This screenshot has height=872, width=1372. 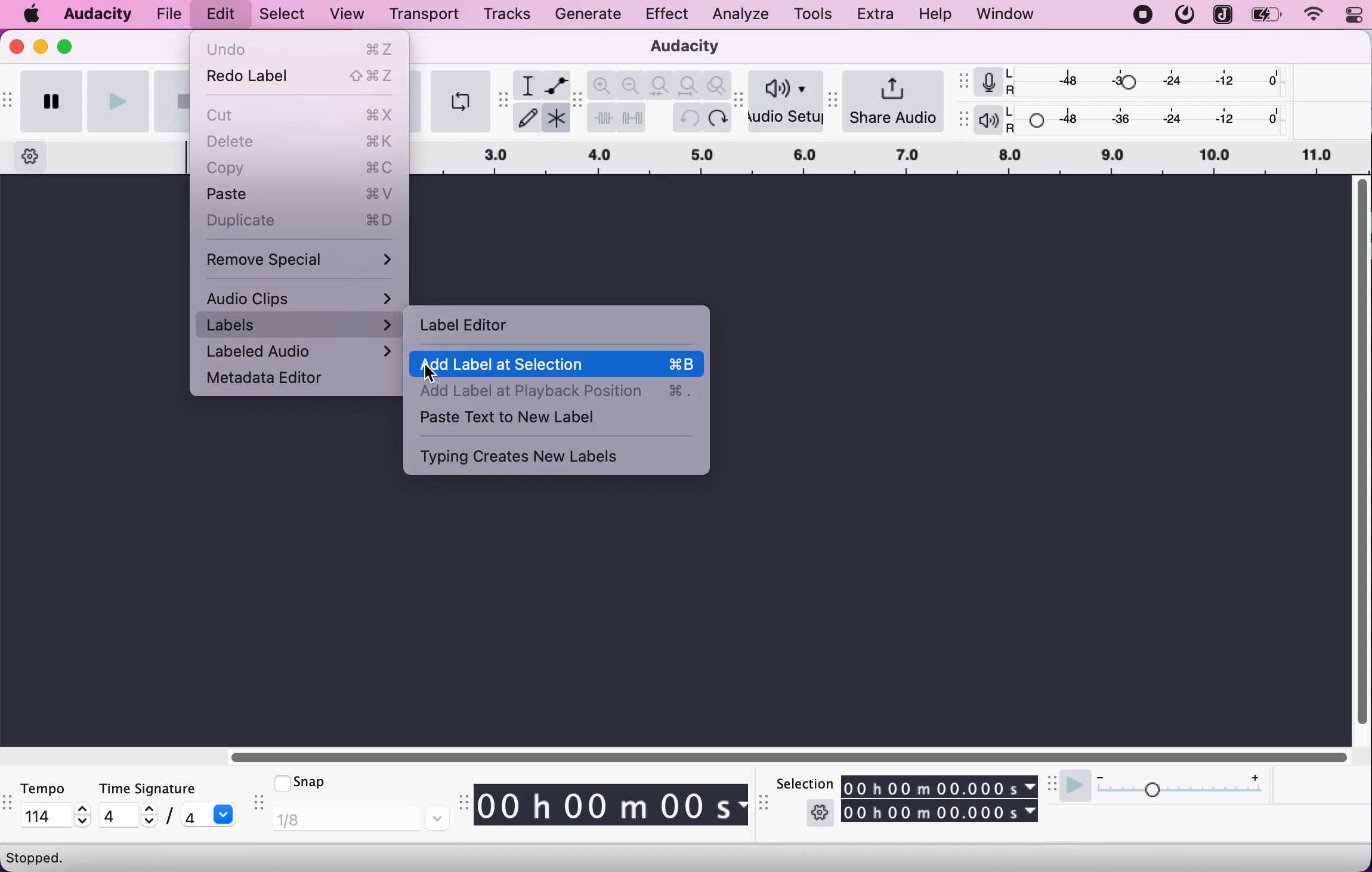 What do you see at coordinates (690, 117) in the screenshot?
I see `undo` at bounding box center [690, 117].